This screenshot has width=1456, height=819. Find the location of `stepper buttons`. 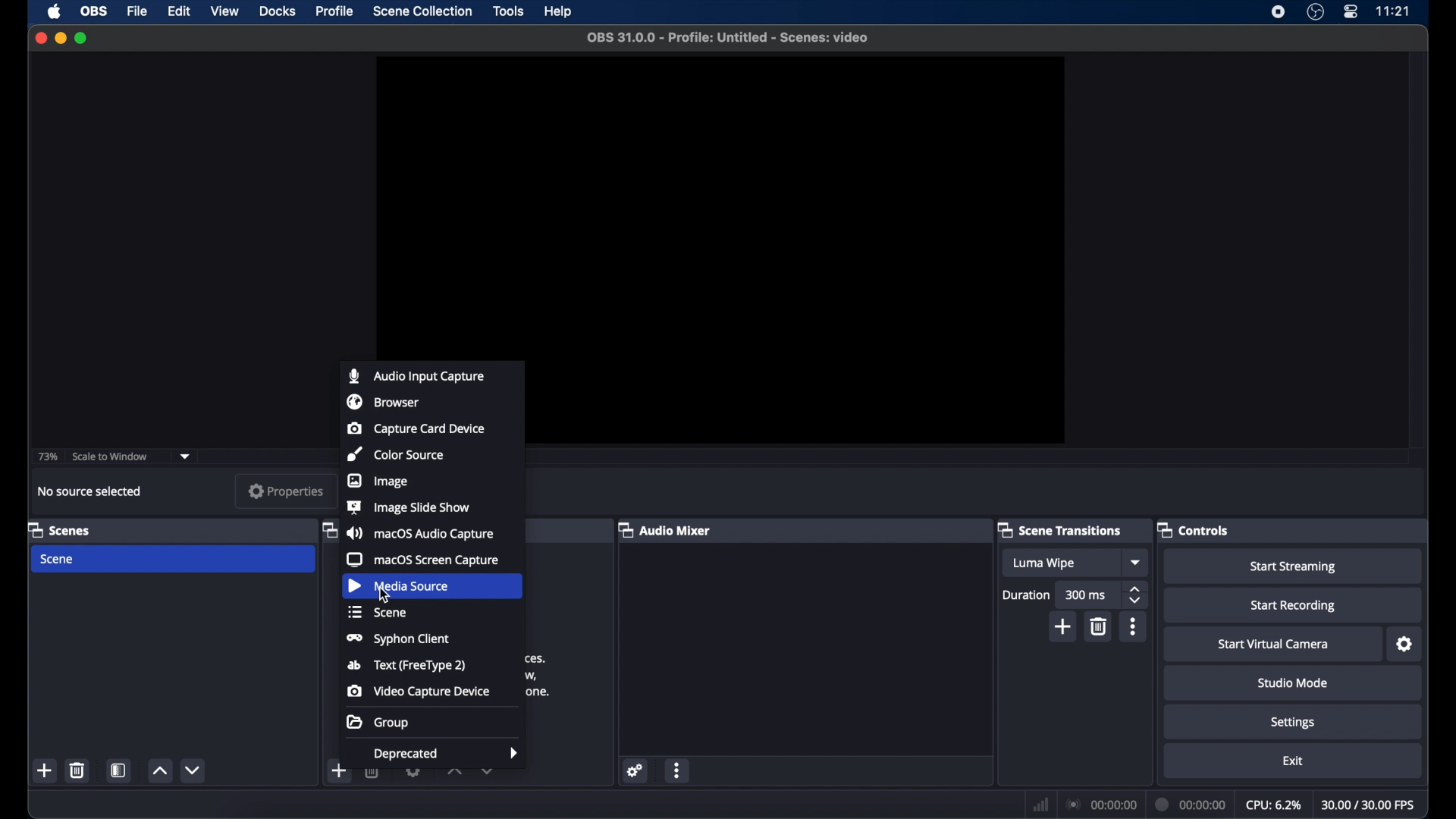

stepper buttons is located at coordinates (1134, 595).